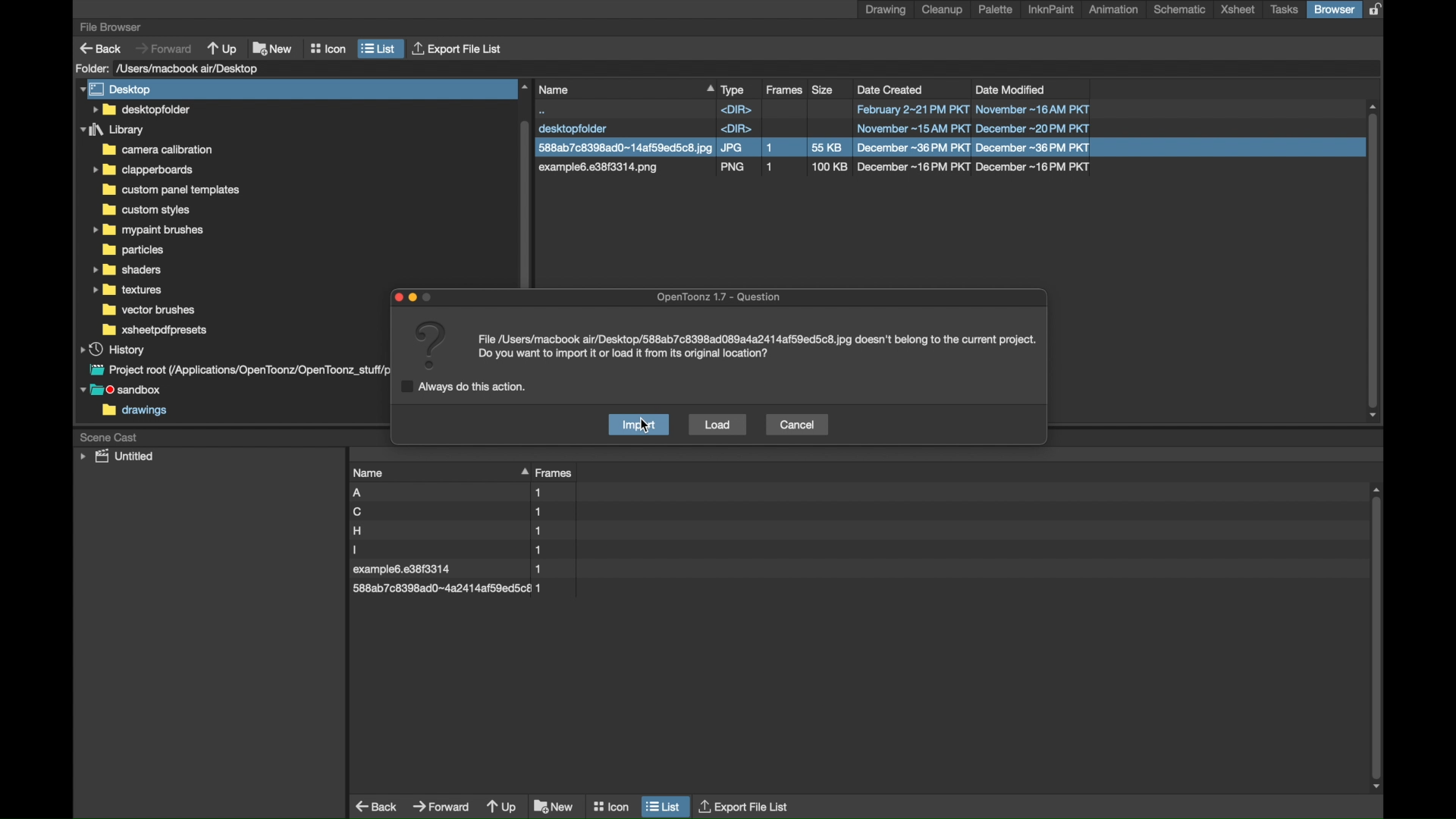 The image size is (1456, 819). I want to click on file browser, so click(110, 27).